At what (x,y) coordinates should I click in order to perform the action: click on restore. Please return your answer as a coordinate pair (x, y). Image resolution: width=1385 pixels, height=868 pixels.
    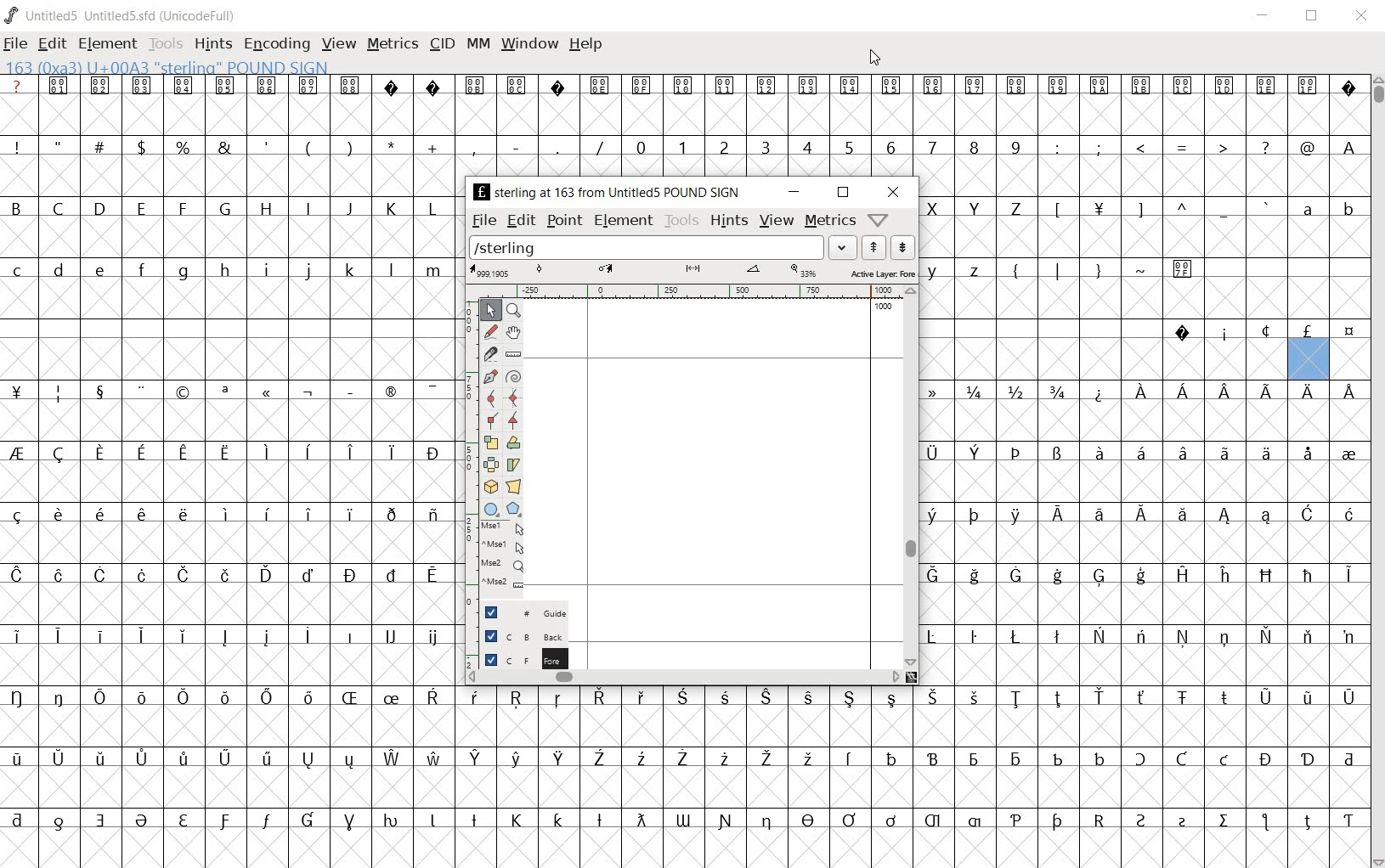
    Looking at the image, I should click on (843, 193).